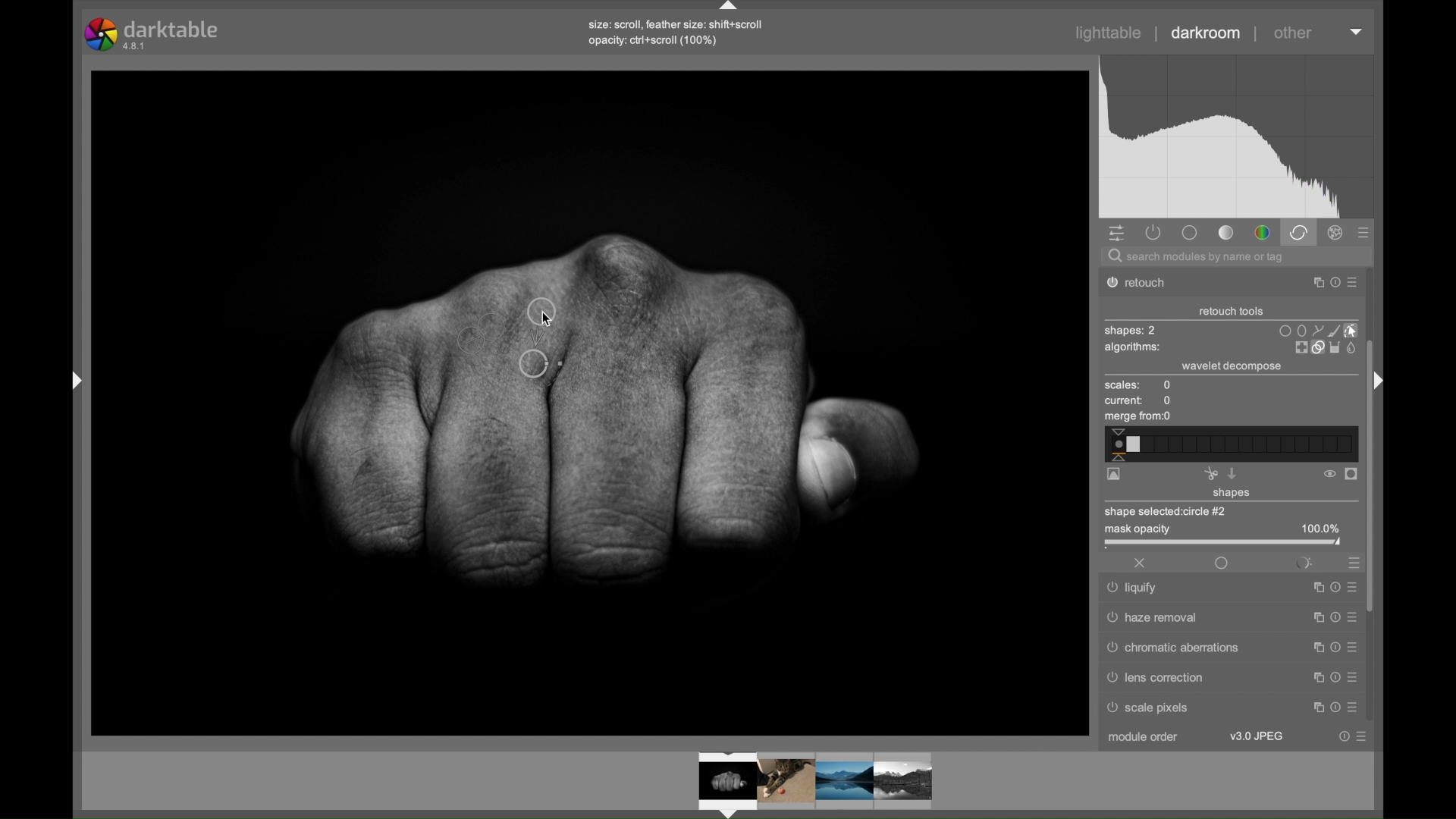  Describe the element at coordinates (1227, 233) in the screenshot. I see `tone` at that location.